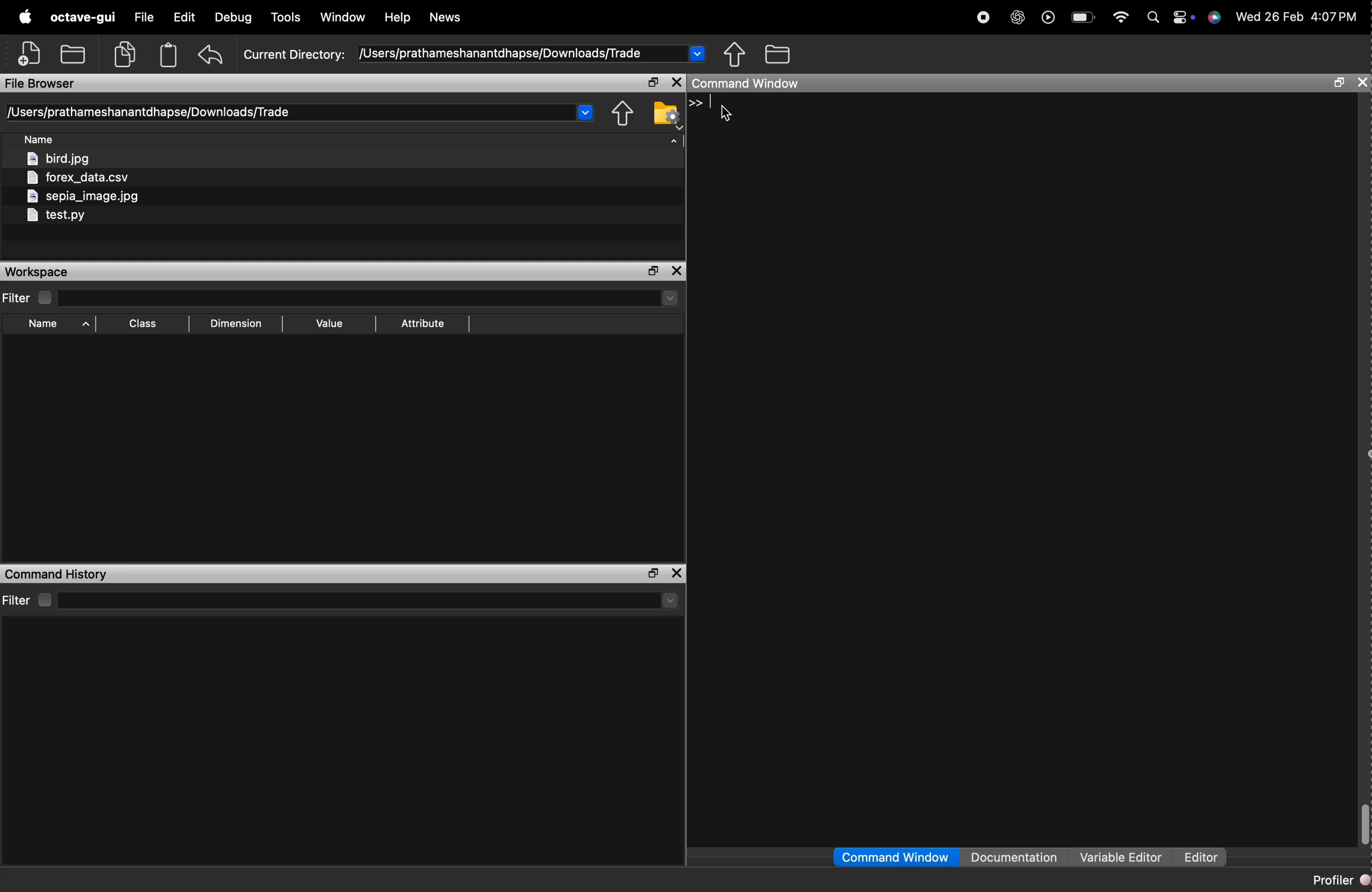 The height and width of the screenshot is (892, 1372). Describe the element at coordinates (25, 16) in the screenshot. I see `apple` at that location.